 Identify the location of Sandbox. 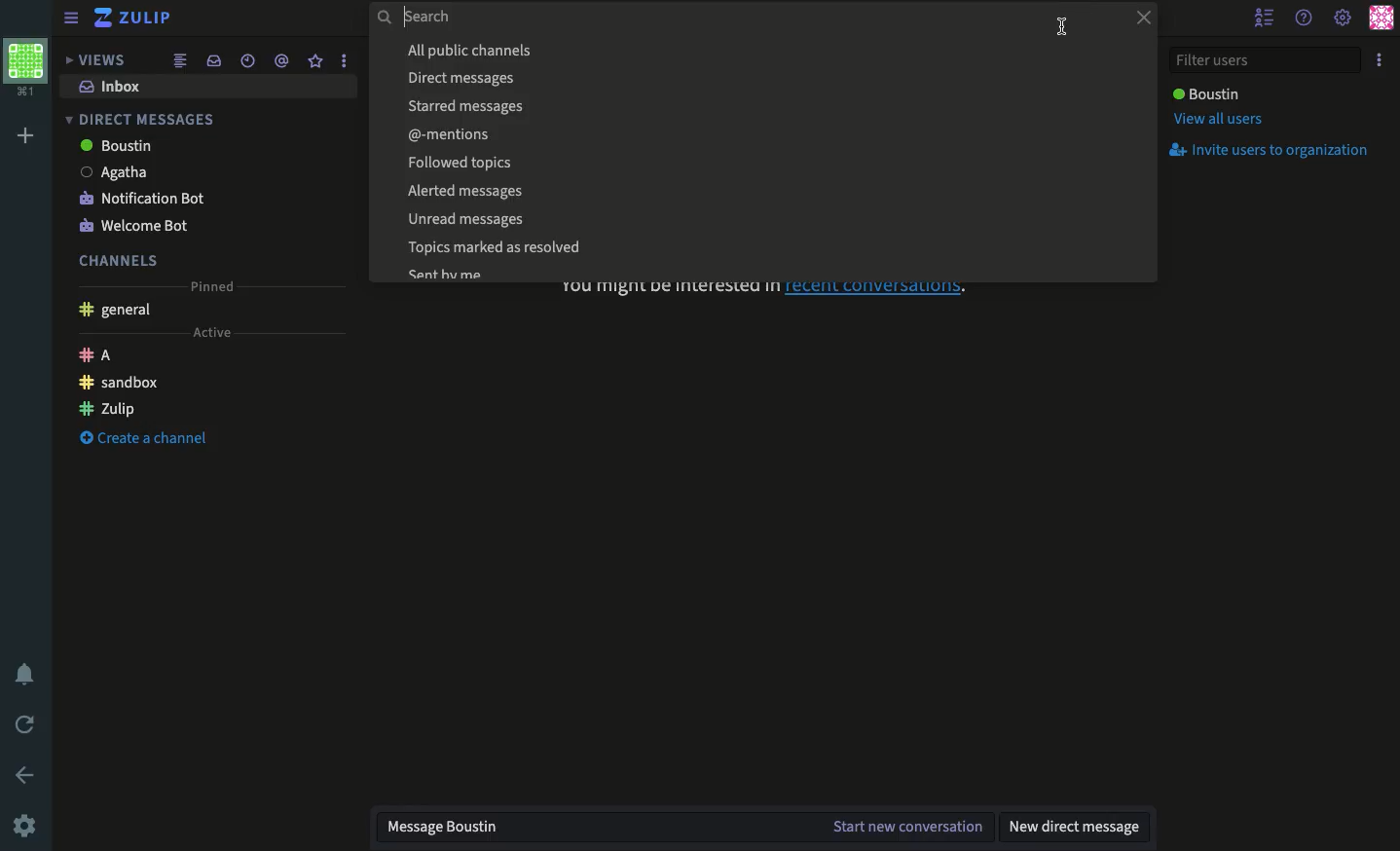
(120, 383).